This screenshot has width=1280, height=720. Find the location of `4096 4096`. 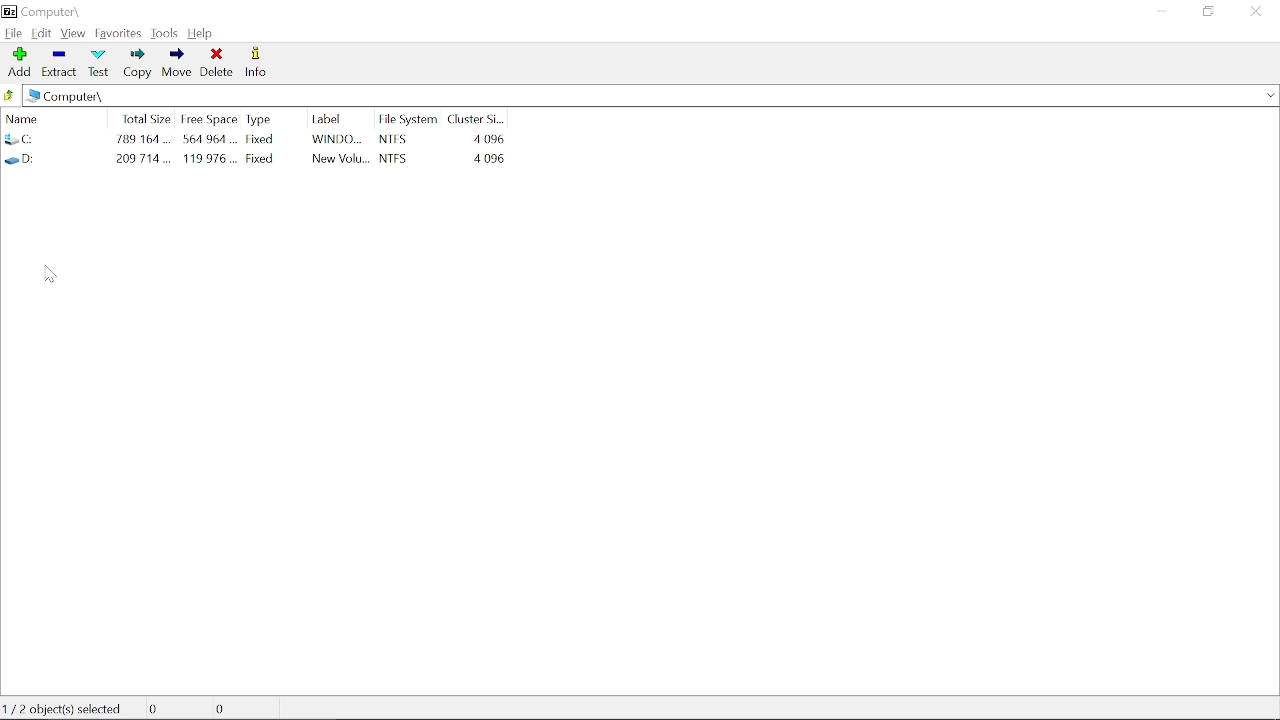

4096 4096 is located at coordinates (487, 148).